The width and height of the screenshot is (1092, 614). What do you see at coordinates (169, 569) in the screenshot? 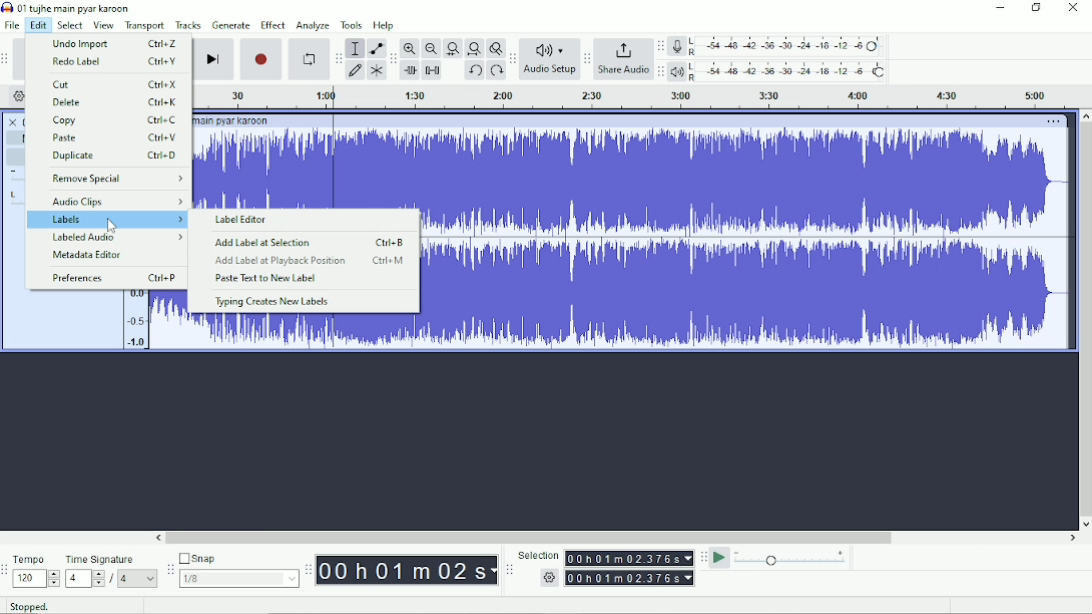
I see `Audacity snapping toolbar` at bounding box center [169, 569].